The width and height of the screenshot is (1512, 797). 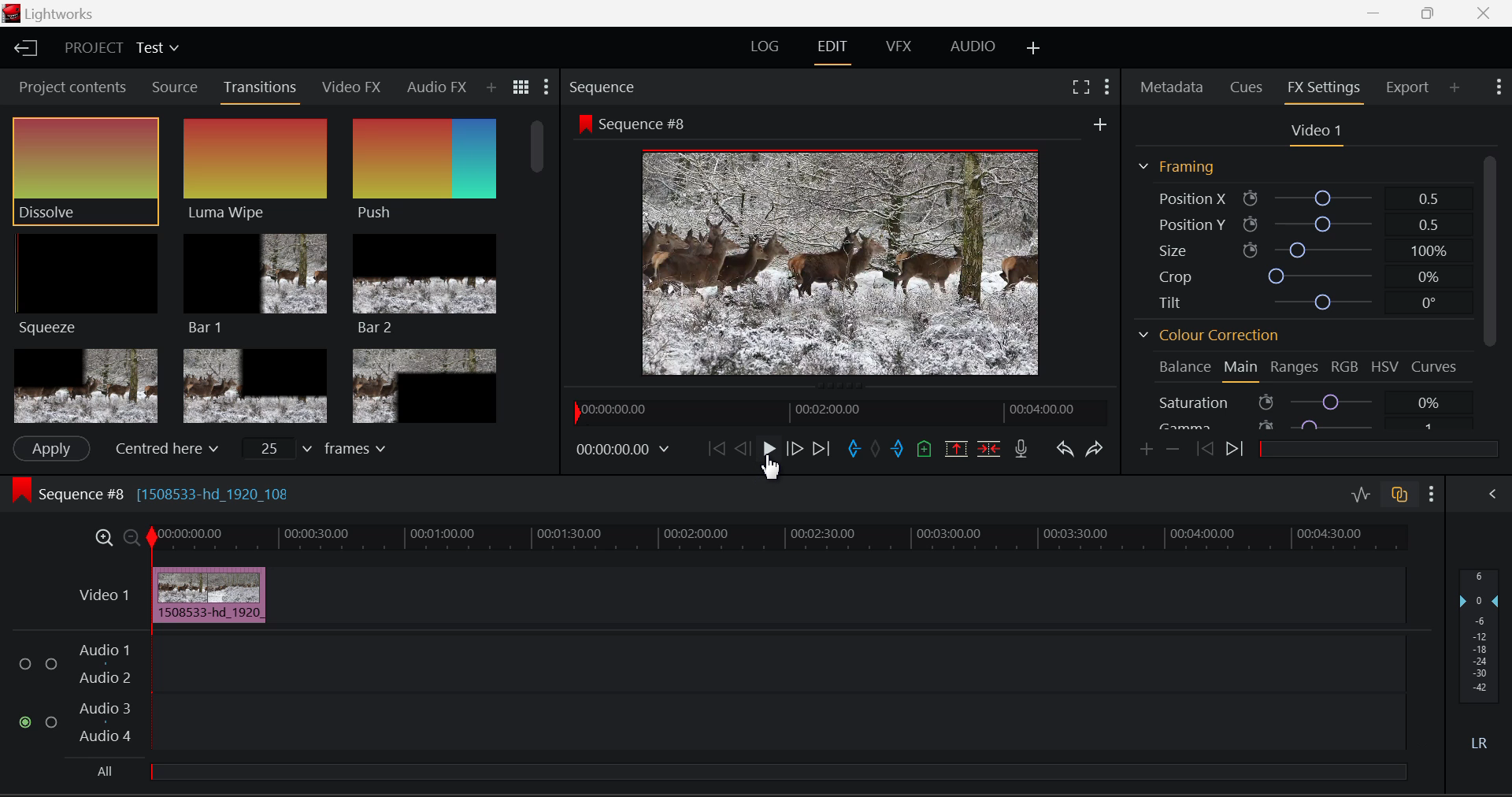 What do you see at coordinates (1295, 221) in the screenshot?
I see `Position Y` at bounding box center [1295, 221].